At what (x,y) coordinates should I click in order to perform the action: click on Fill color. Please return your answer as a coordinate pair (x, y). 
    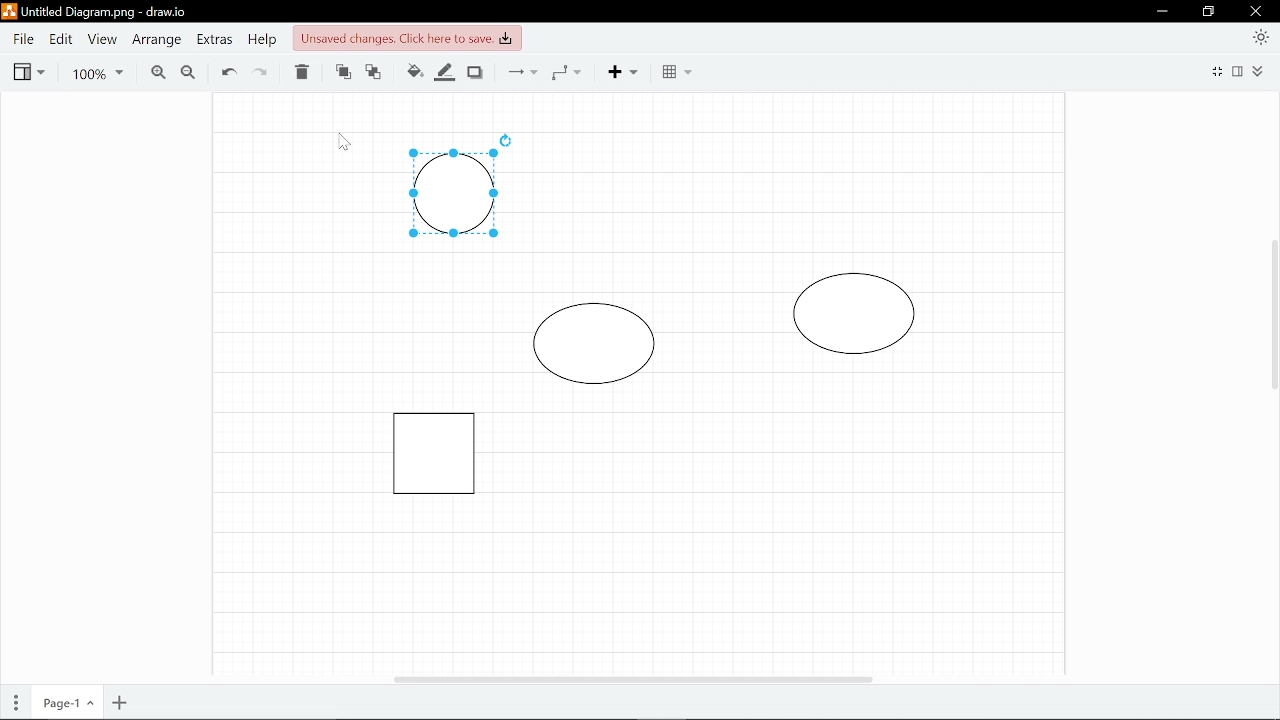
    Looking at the image, I should click on (414, 71).